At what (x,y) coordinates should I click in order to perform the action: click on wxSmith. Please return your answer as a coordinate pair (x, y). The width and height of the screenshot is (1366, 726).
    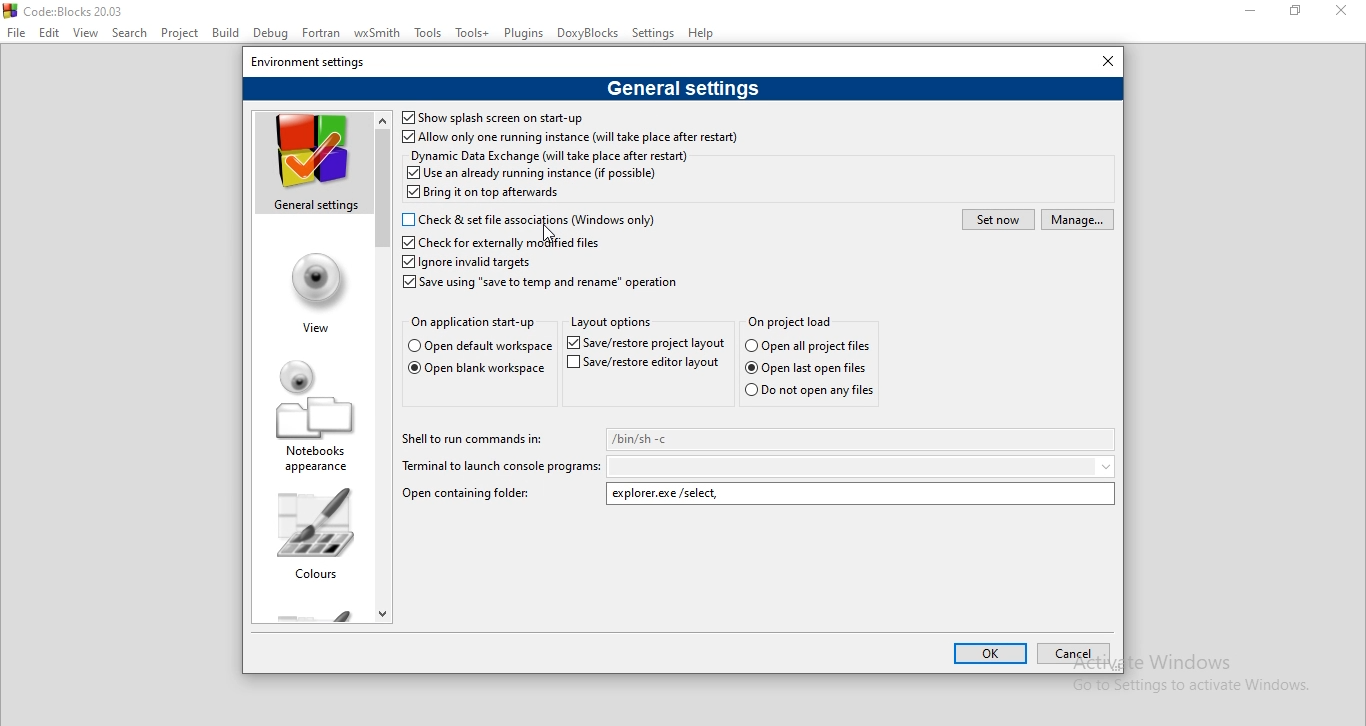
    Looking at the image, I should click on (375, 33).